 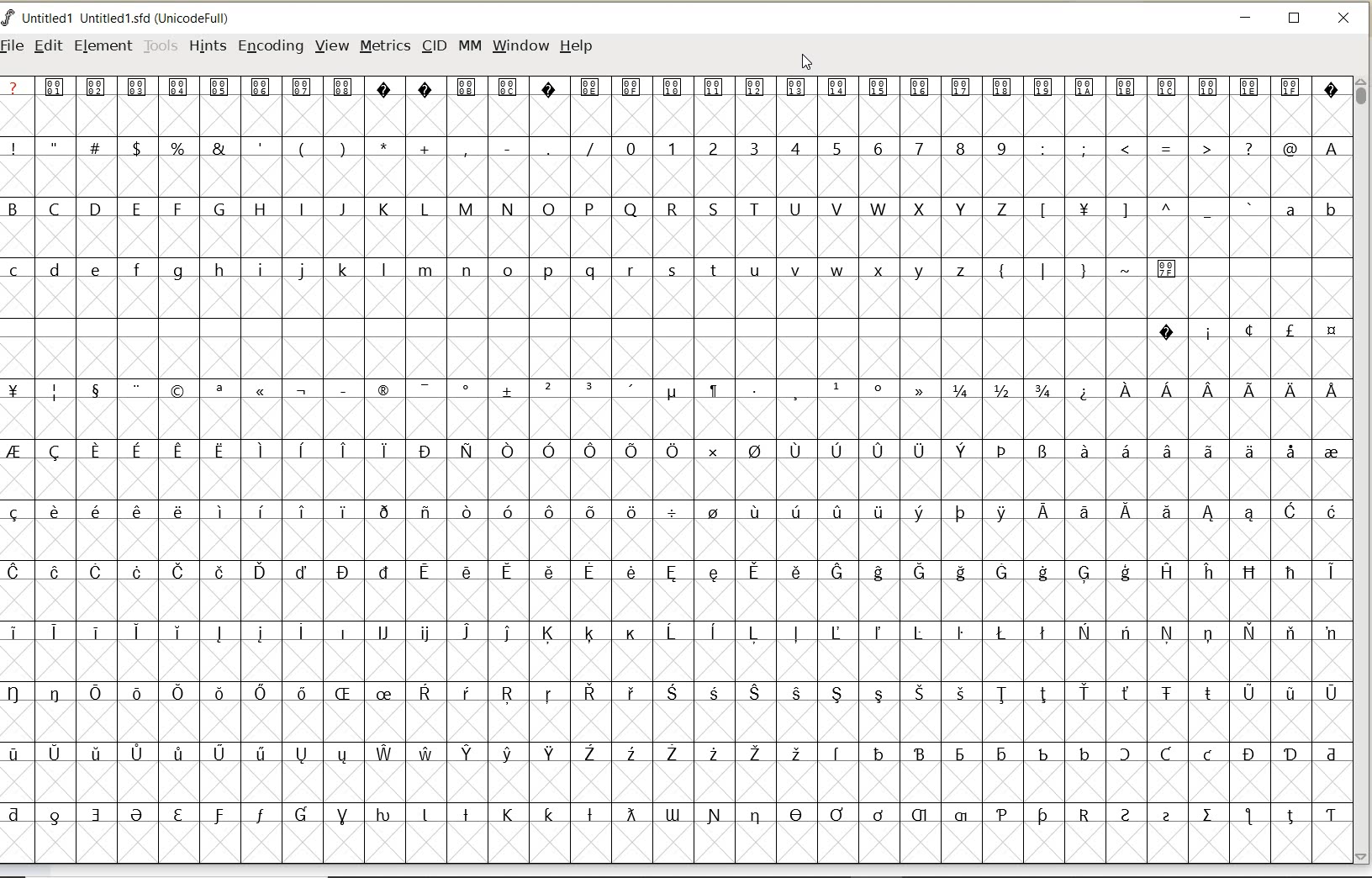 What do you see at coordinates (332, 46) in the screenshot?
I see `VIEW` at bounding box center [332, 46].